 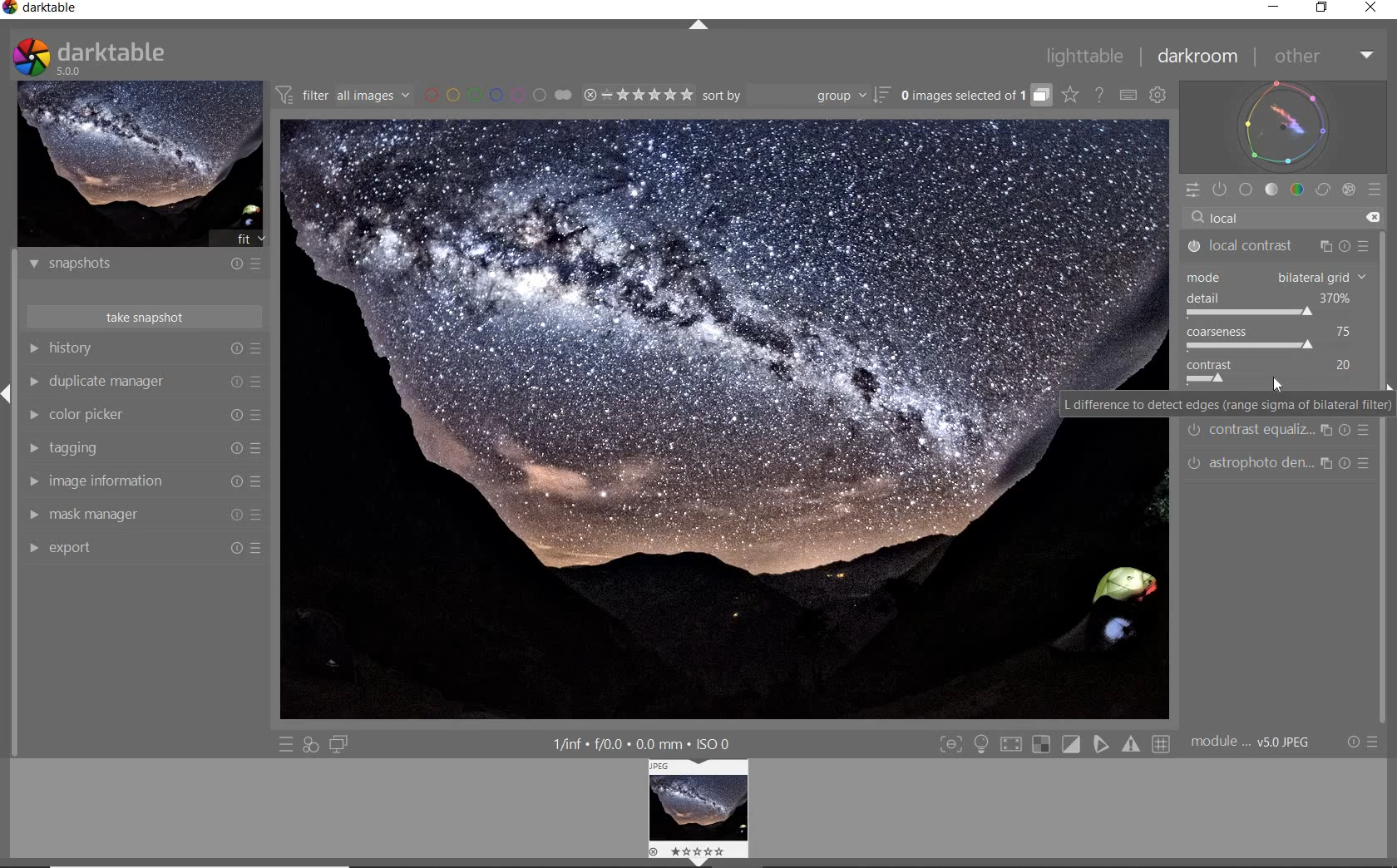 I want to click on IMAGE PREVIEW, so click(x=702, y=806).